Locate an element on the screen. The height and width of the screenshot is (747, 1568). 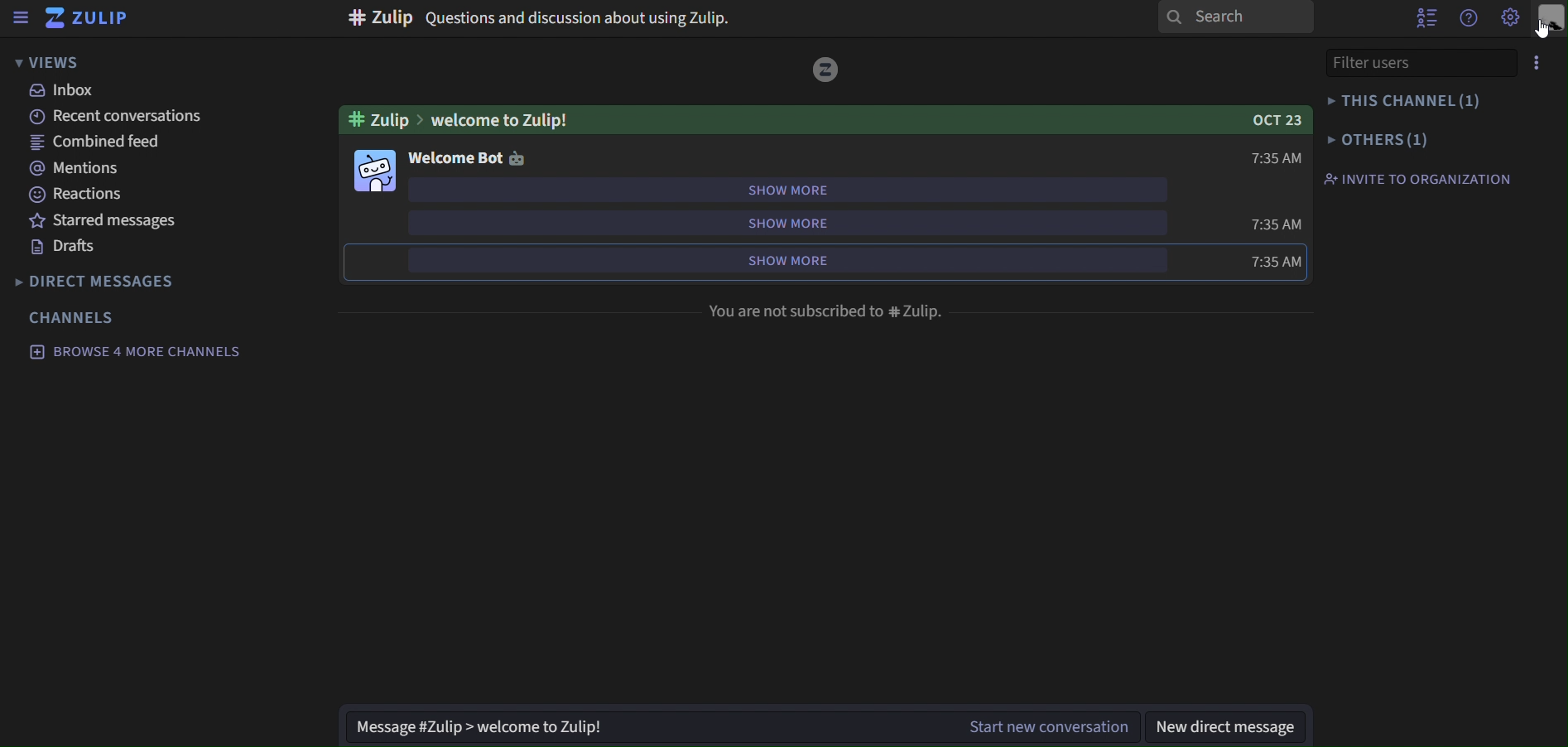
recent conversations is located at coordinates (113, 115).